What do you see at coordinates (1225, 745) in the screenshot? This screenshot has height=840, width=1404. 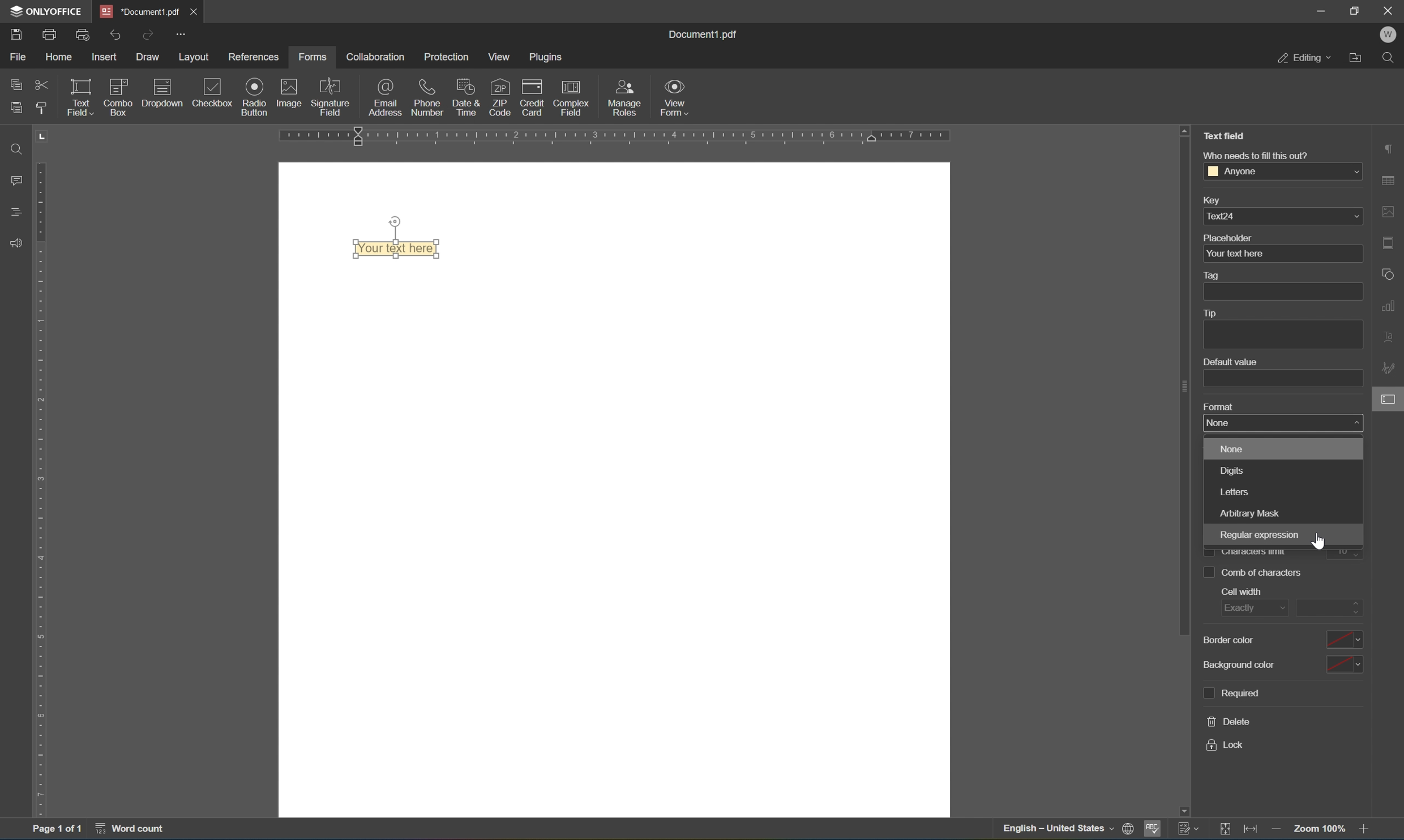 I see `lock` at bounding box center [1225, 745].